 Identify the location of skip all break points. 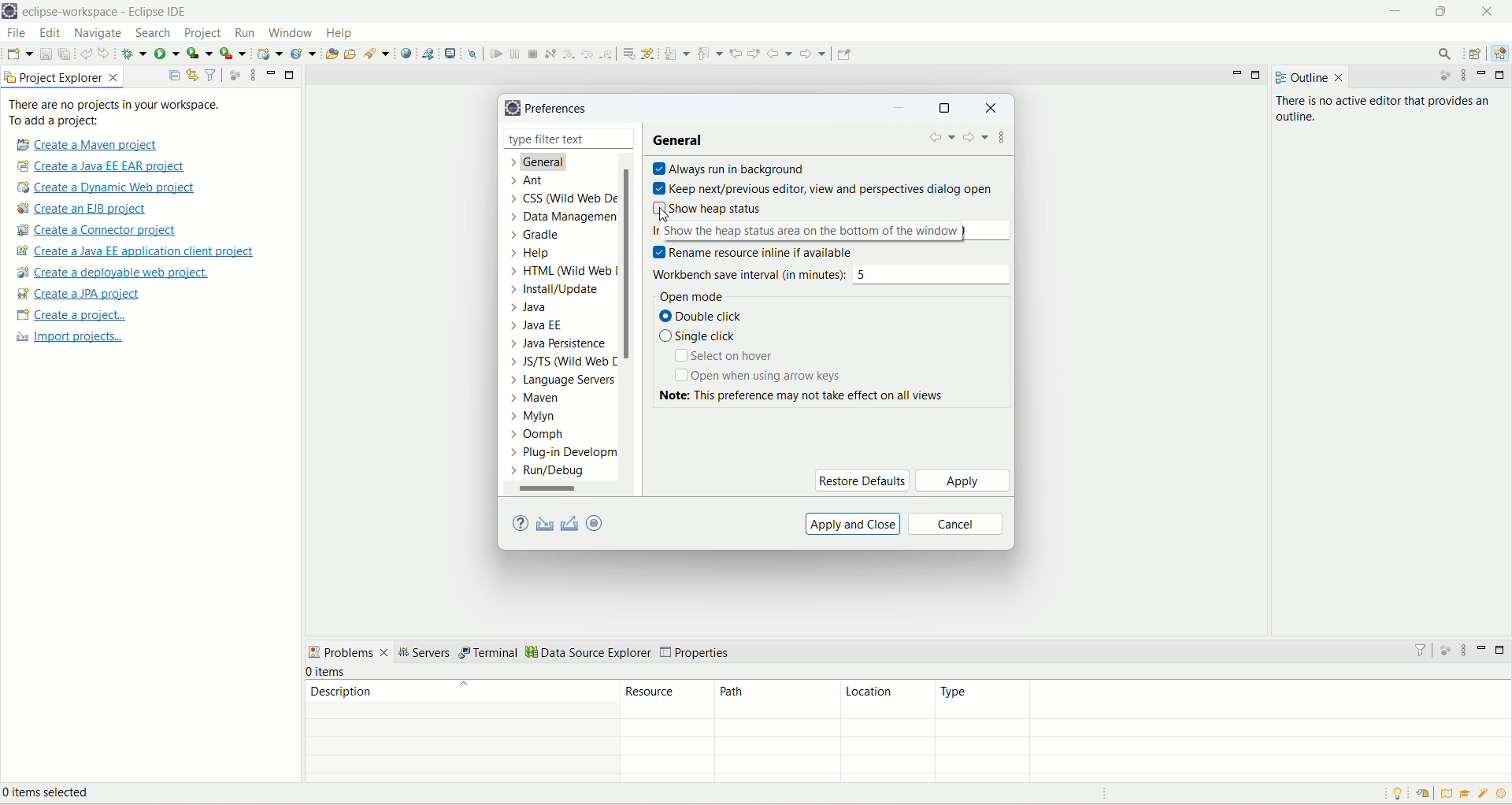
(472, 53).